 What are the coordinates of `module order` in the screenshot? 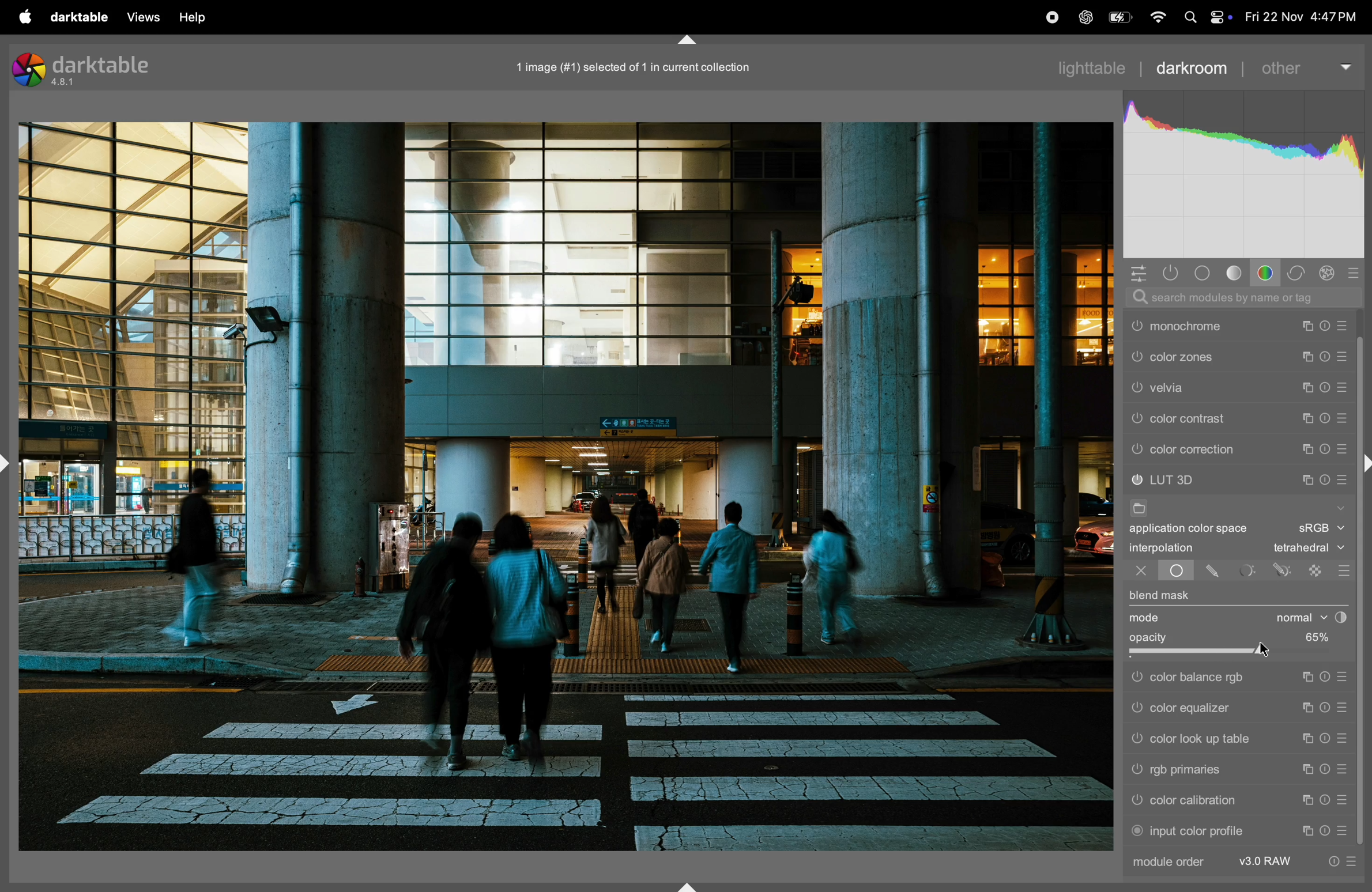 It's located at (1178, 864).